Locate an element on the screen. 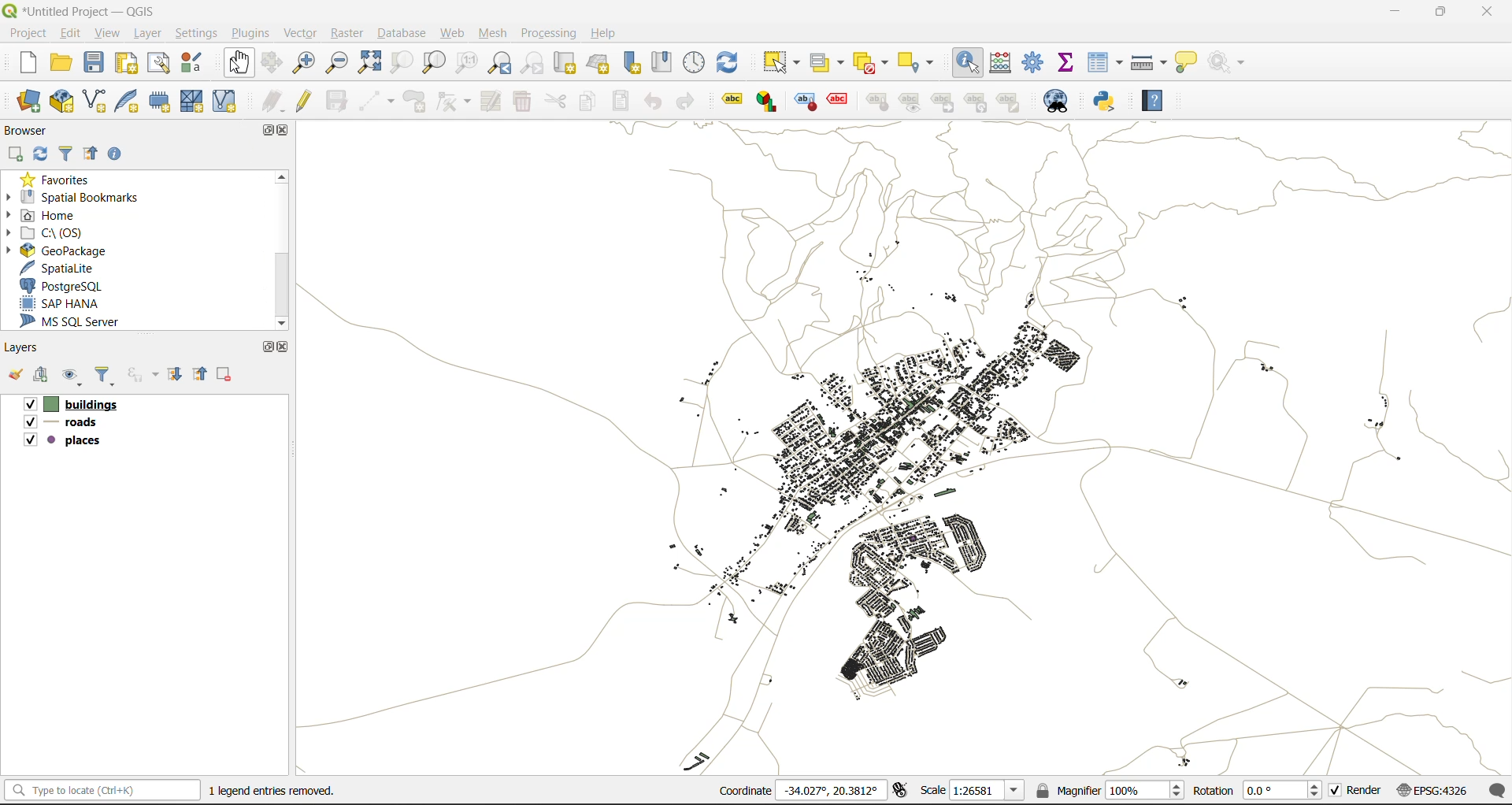  log messages is located at coordinates (1498, 791).